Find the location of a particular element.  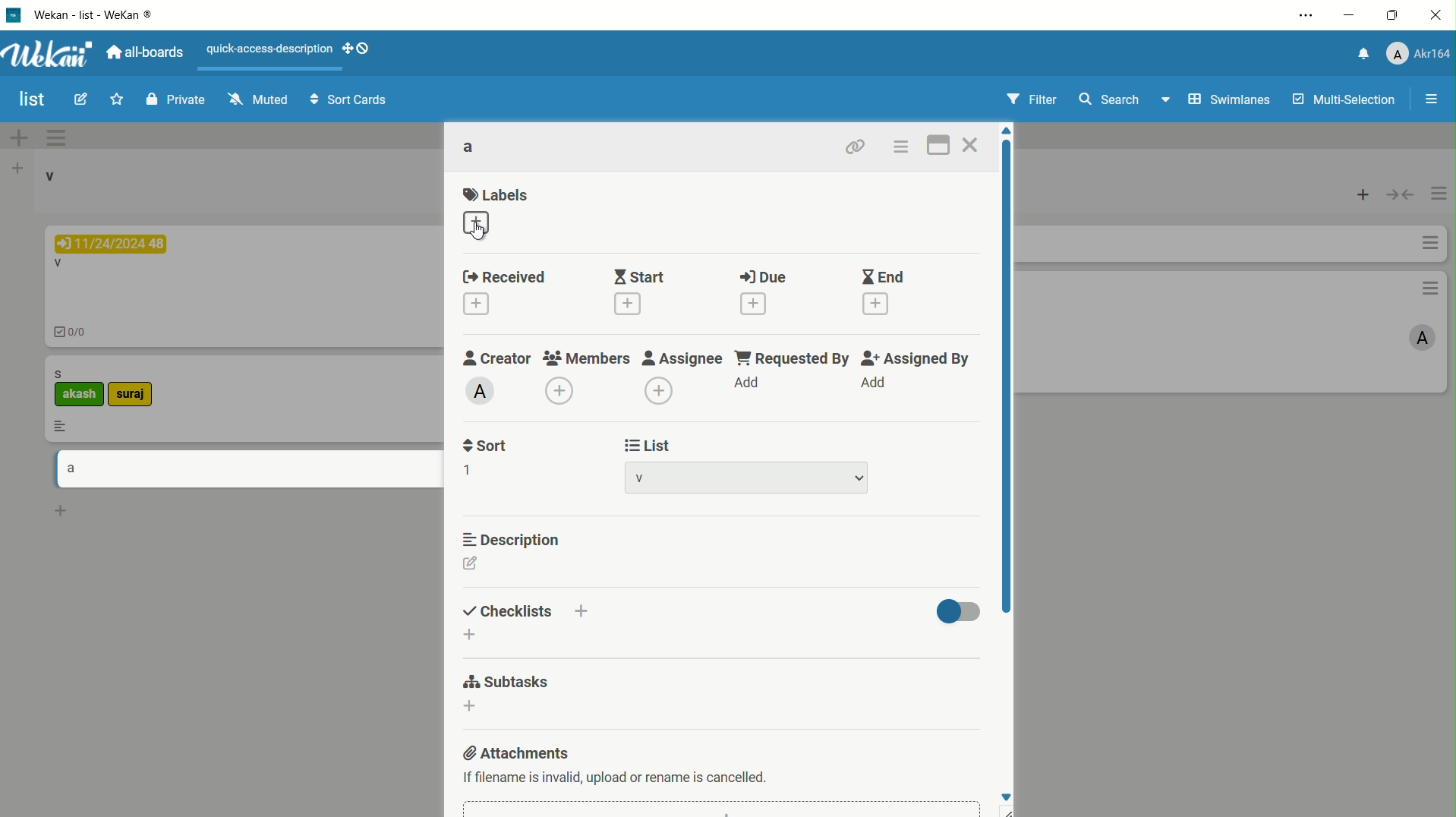

subtasks is located at coordinates (506, 681).